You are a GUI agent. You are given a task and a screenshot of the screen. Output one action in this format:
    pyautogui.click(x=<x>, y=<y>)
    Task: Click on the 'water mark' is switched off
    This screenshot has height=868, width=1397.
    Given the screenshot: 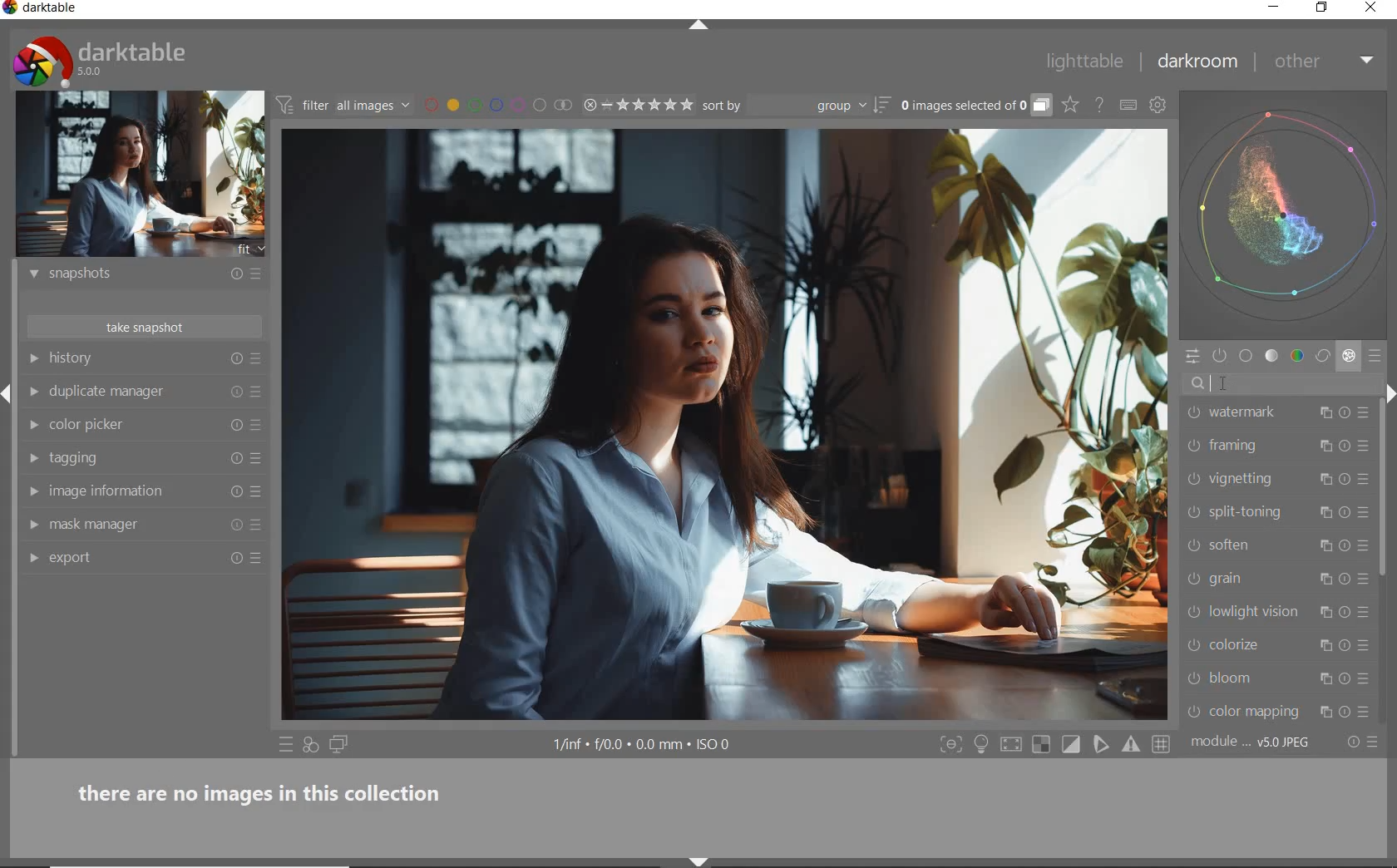 What is the action you would take?
    pyautogui.click(x=1195, y=412)
    